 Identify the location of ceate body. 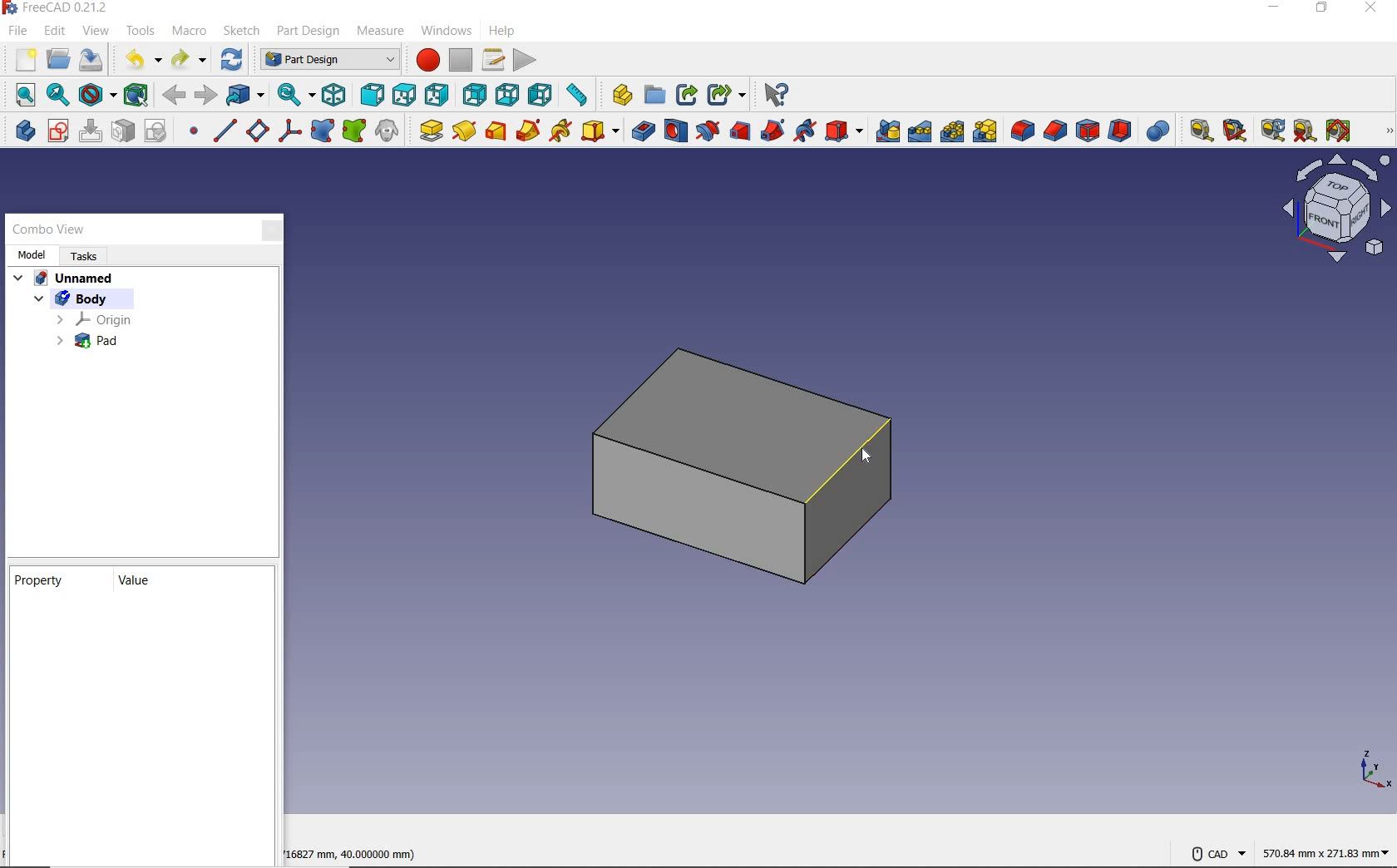
(22, 131).